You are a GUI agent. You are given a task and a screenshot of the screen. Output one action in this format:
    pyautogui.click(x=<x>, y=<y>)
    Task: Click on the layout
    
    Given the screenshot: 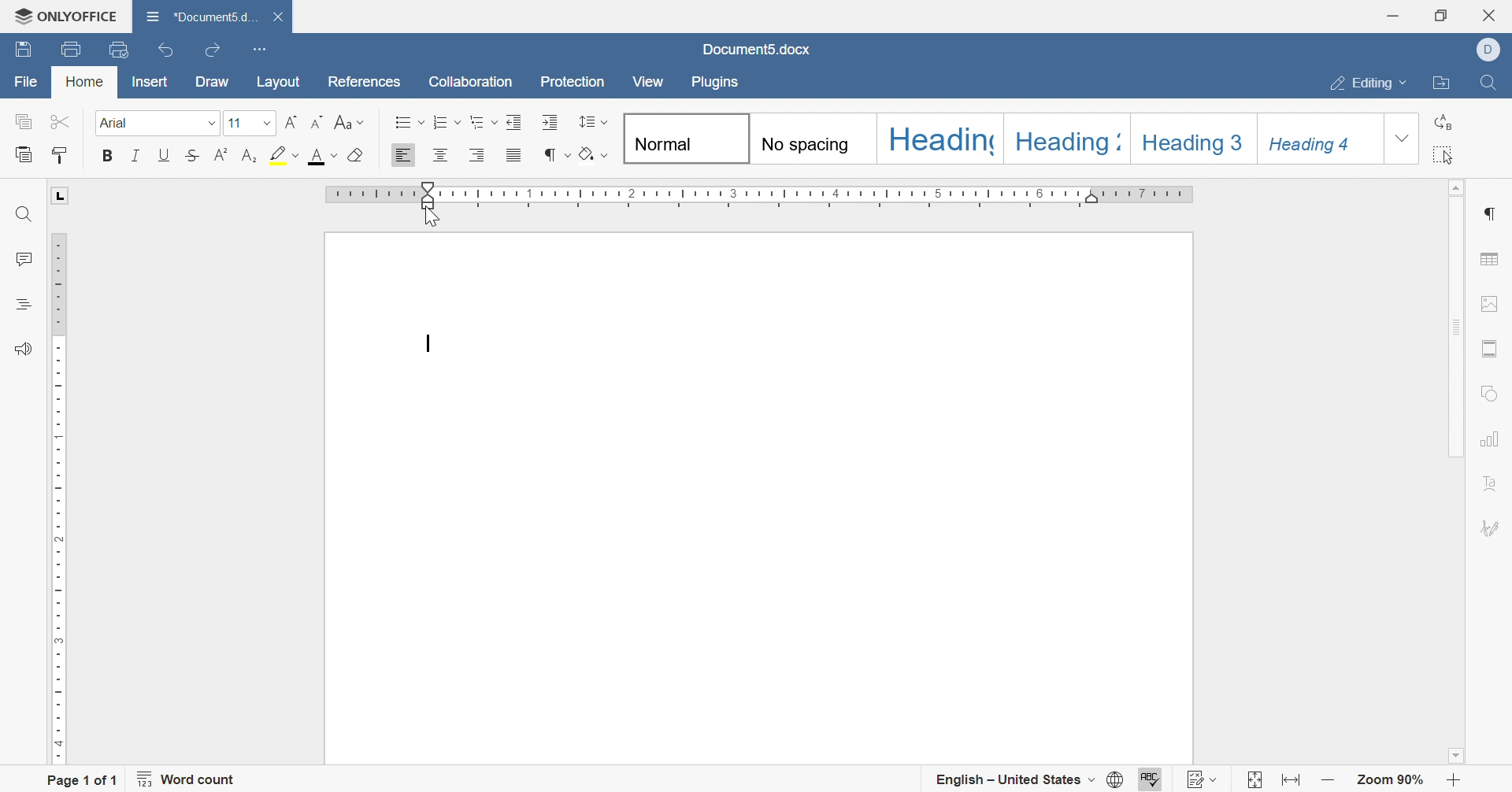 What is the action you would take?
    pyautogui.click(x=281, y=81)
    